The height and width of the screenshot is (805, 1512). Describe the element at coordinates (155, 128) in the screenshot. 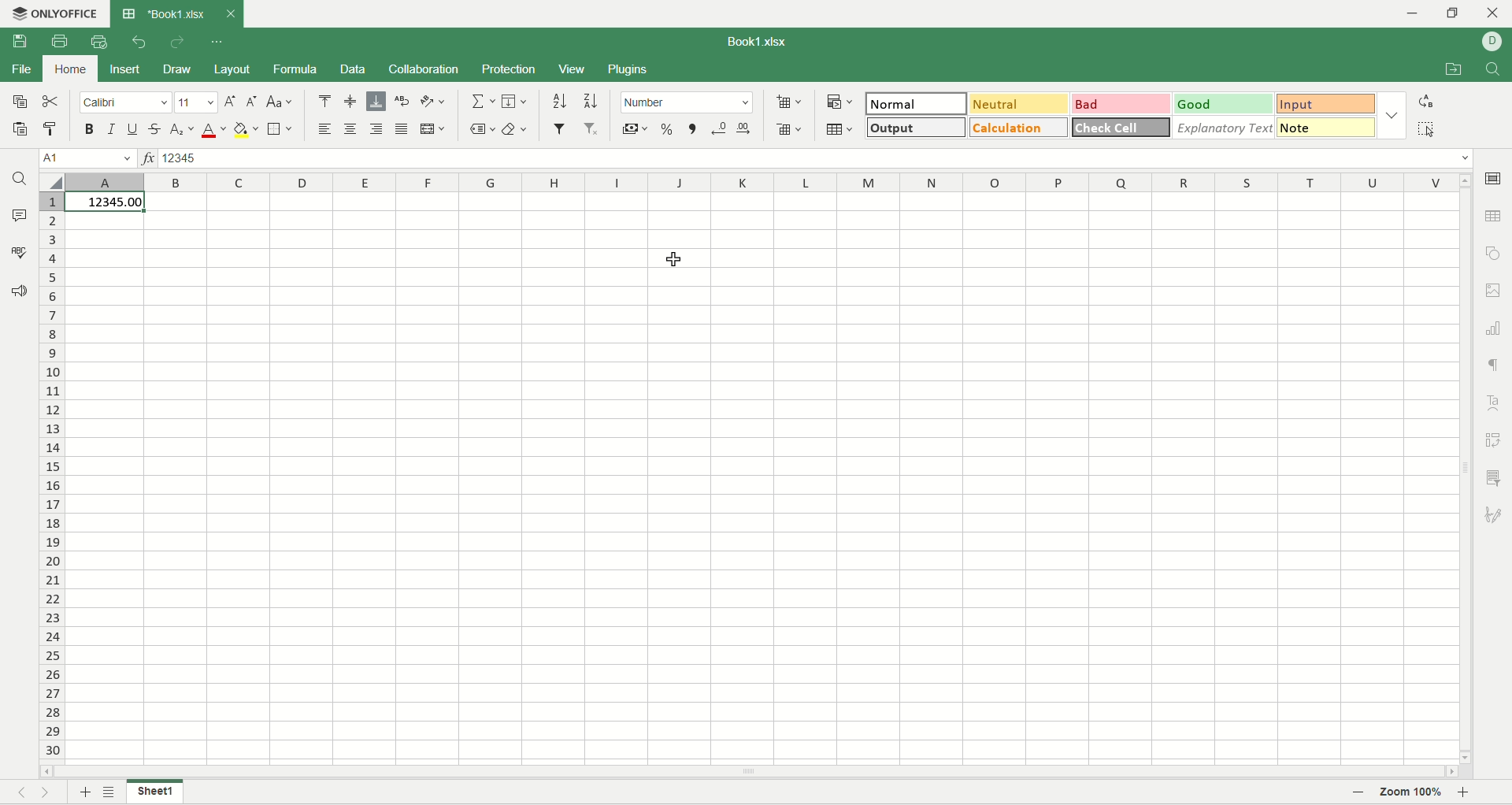

I see `strikethrough` at that location.